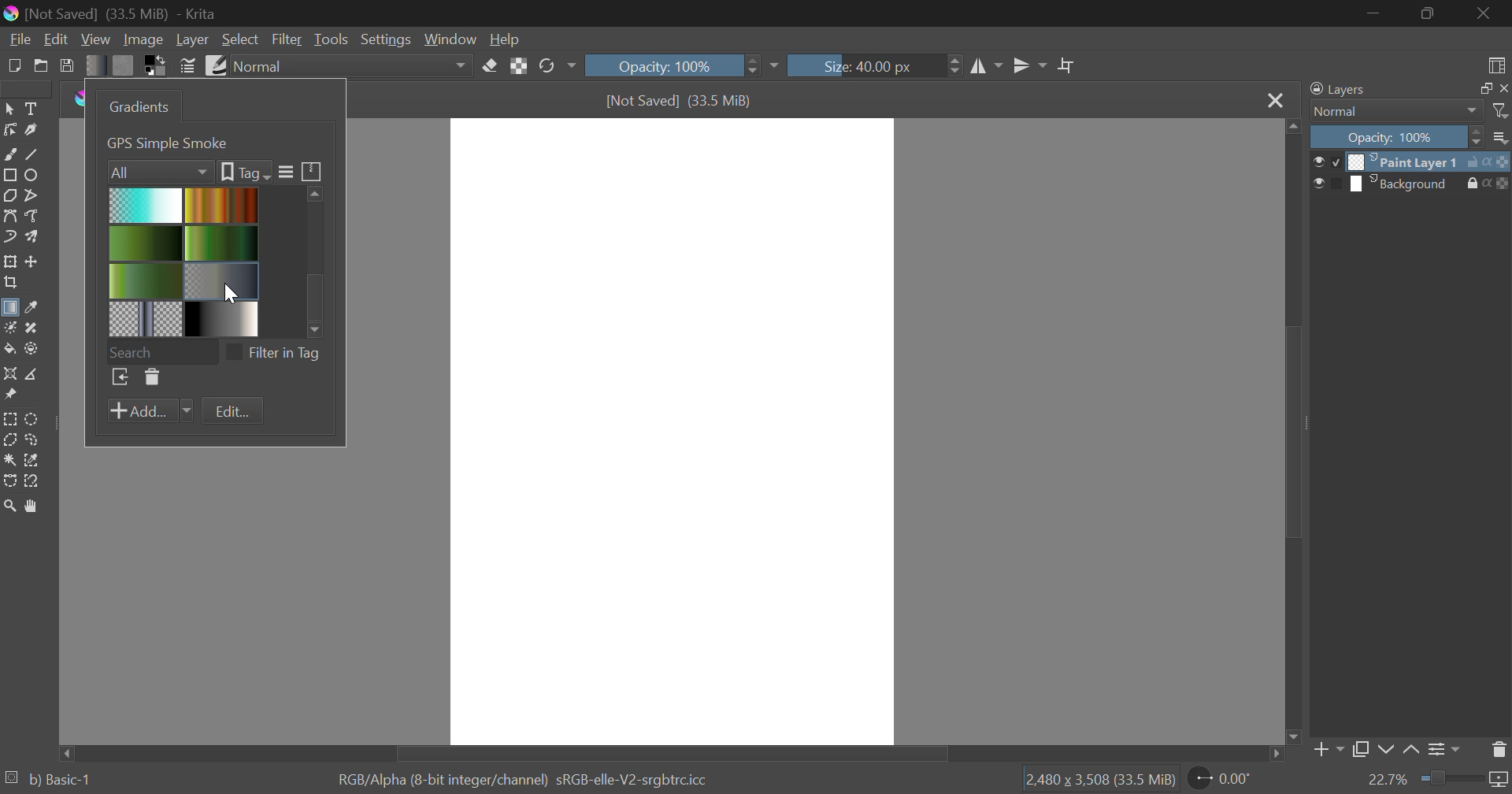  What do you see at coordinates (32, 262) in the screenshot?
I see `Move Layer` at bounding box center [32, 262].